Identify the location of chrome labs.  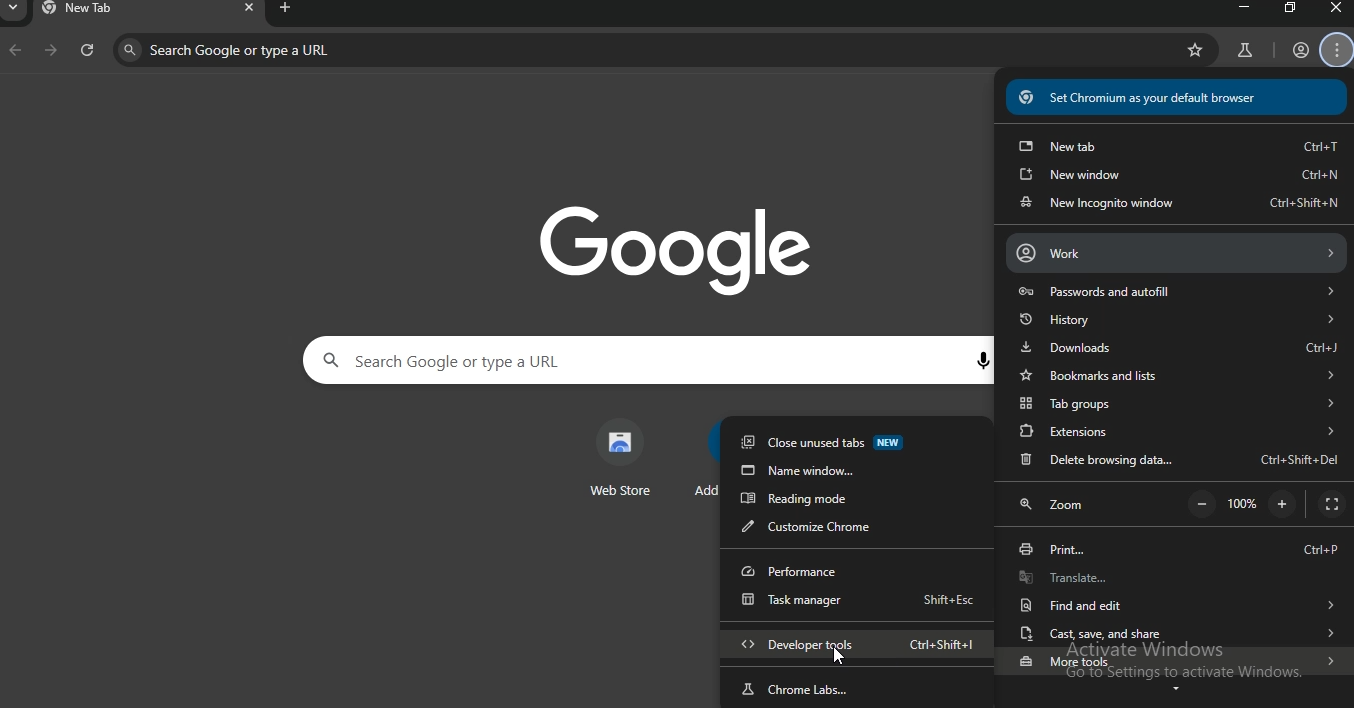
(858, 687).